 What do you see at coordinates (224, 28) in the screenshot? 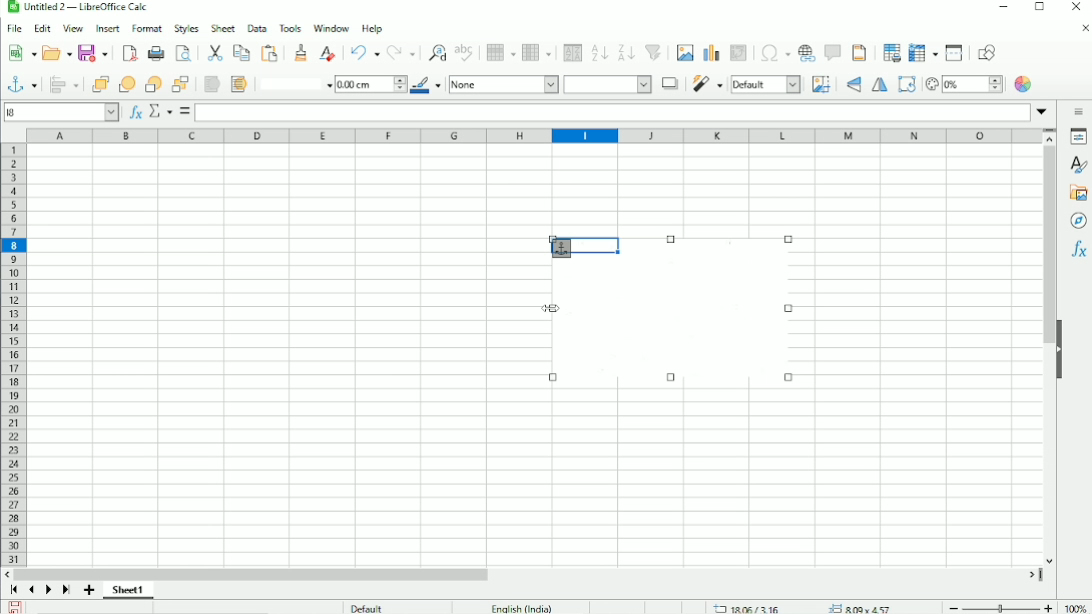
I see `Sheet` at bounding box center [224, 28].